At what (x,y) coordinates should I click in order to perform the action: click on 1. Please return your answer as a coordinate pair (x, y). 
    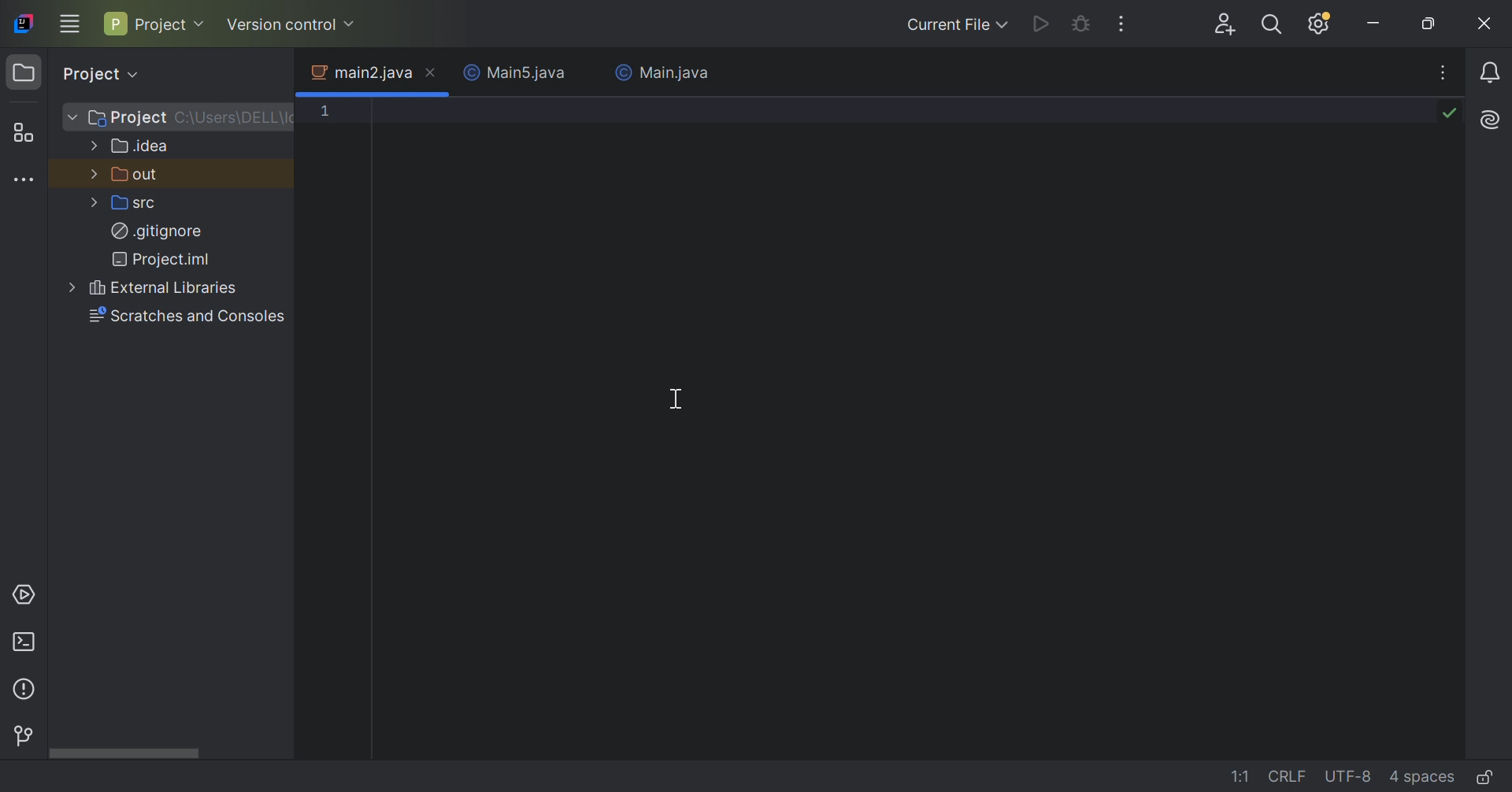
    Looking at the image, I should click on (325, 113).